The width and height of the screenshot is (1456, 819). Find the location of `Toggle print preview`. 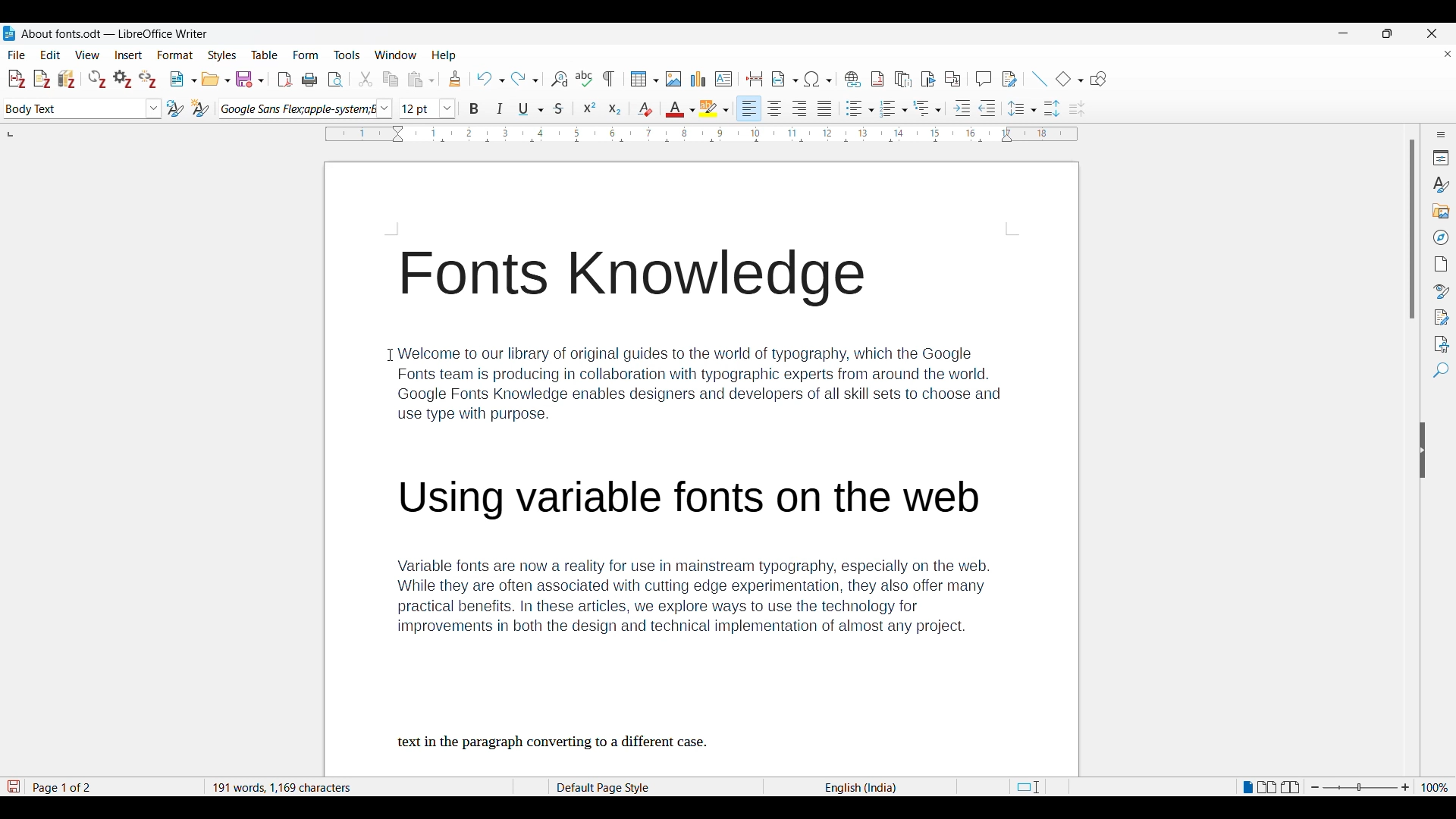

Toggle print preview is located at coordinates (335, 80).